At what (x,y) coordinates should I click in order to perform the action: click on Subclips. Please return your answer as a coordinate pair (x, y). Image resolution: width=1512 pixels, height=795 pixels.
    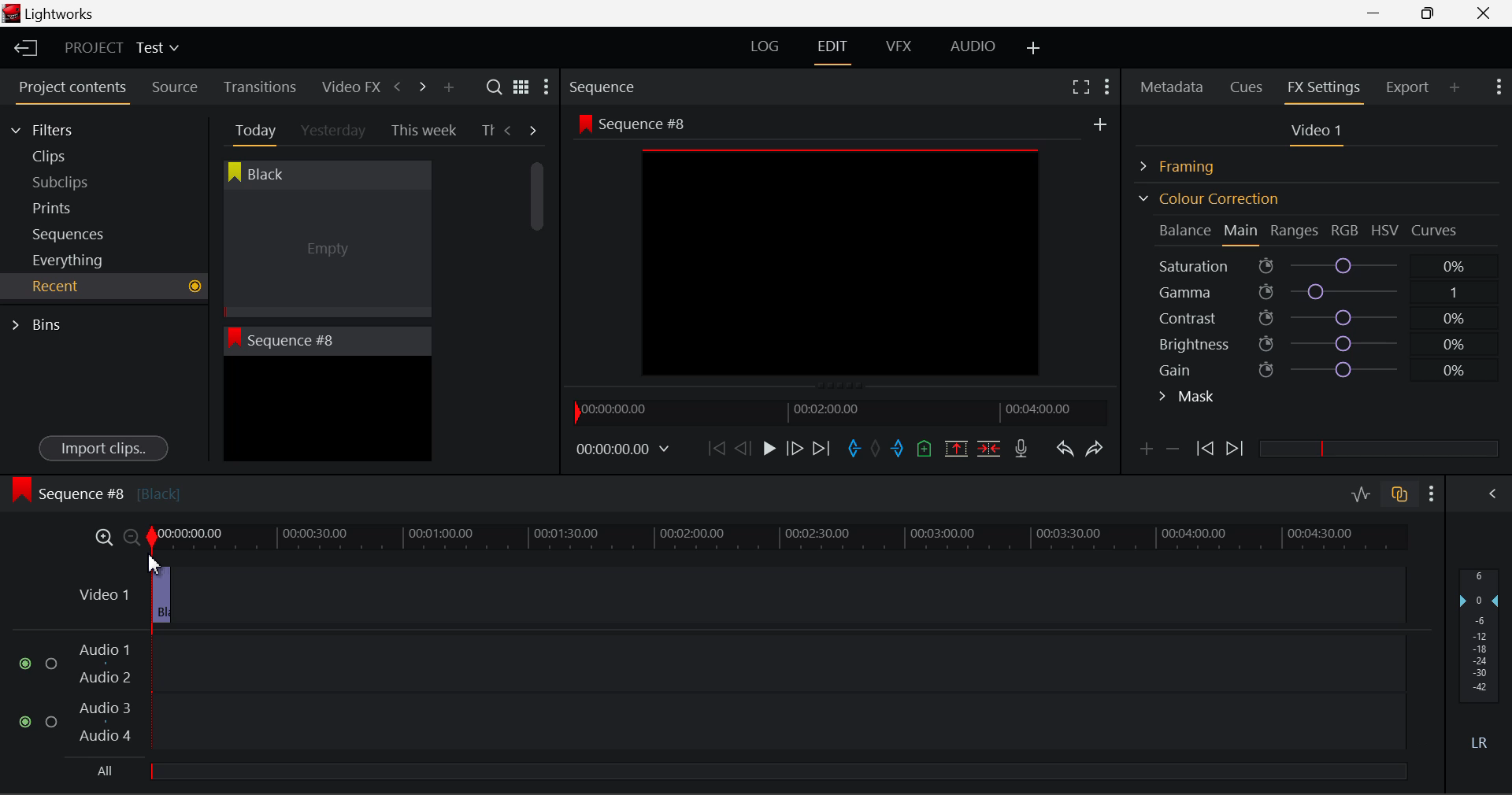
    Looking at the image, I should click on (76, 182).